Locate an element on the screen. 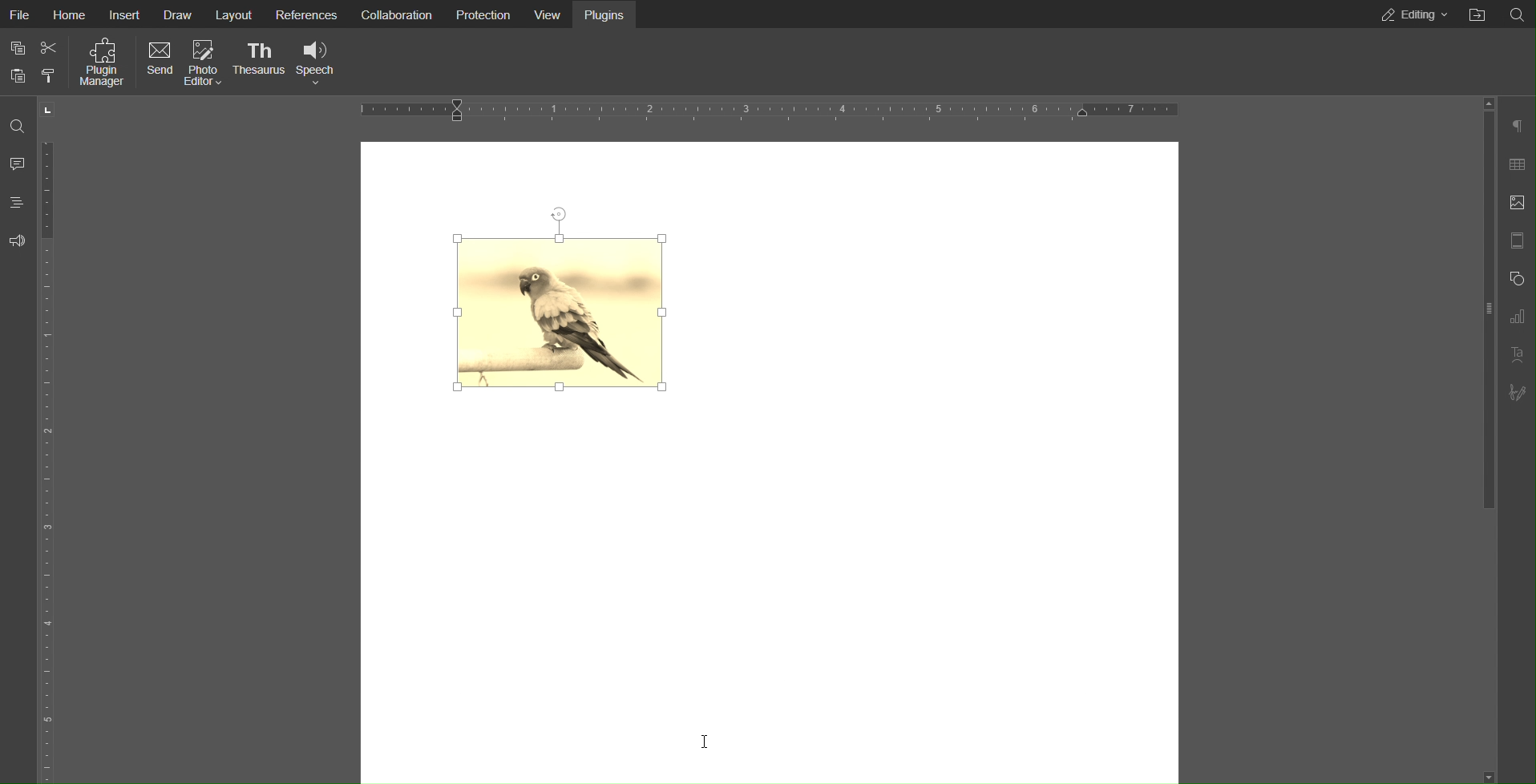 This screenshot has width=1536, height=784. Image Settings is located at coordinates (1516, 204).